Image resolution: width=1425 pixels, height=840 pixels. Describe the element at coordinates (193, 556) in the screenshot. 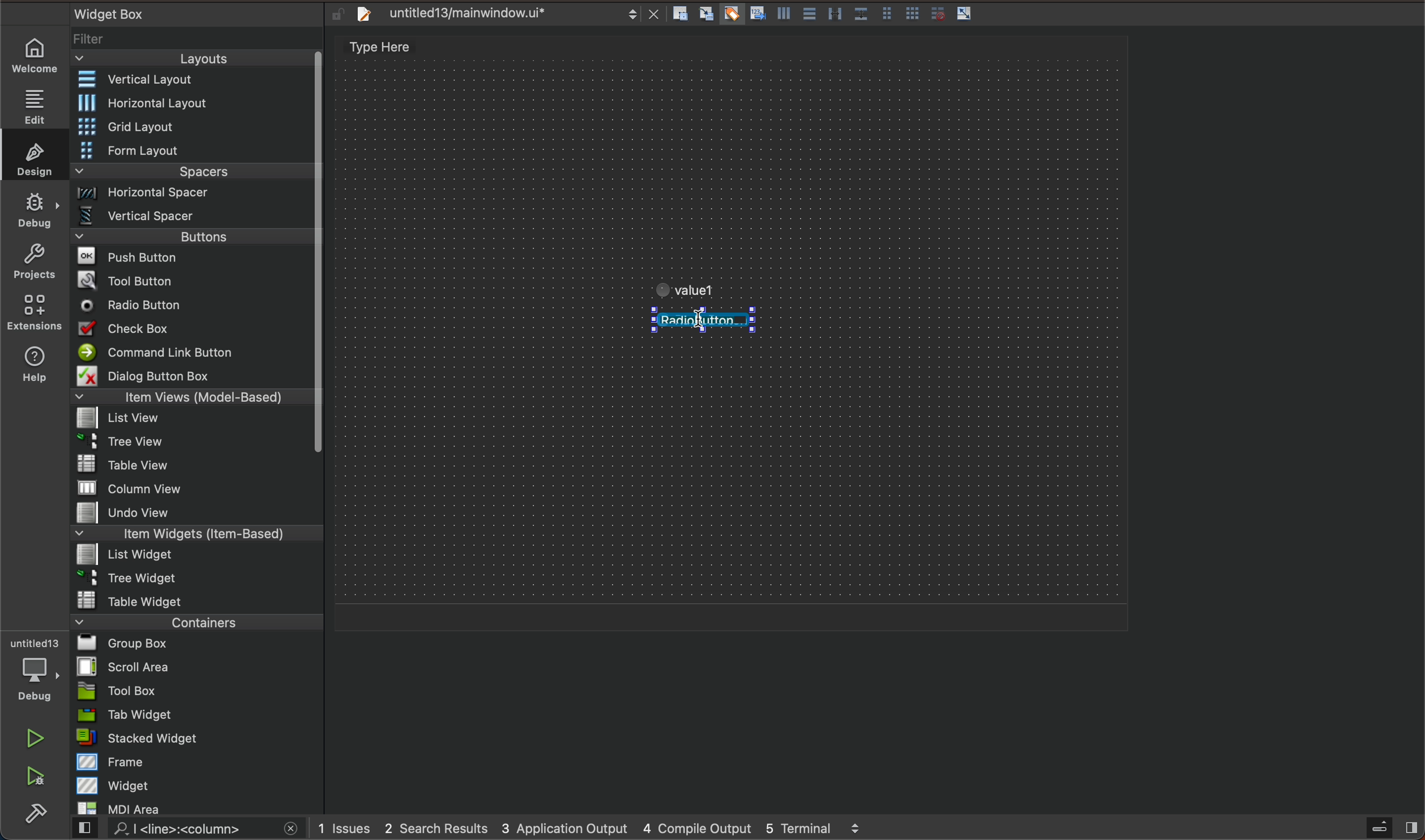

I see `` at that location.